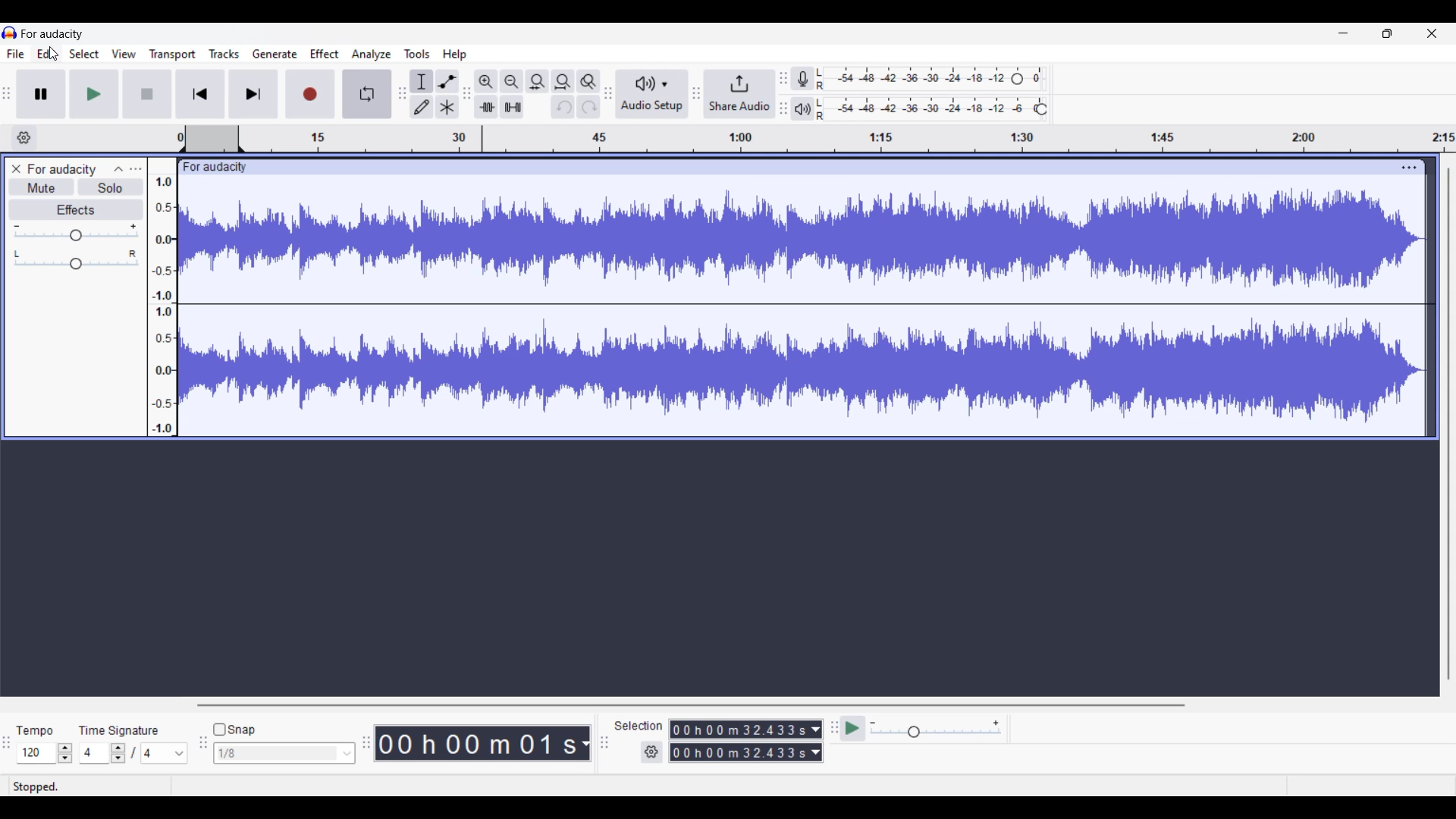 This screenshot has height=819, width=1456. Describe the element at coordinates (65, 753) in the screenshot. I see `Increase/Decrease Tempo` at that location.